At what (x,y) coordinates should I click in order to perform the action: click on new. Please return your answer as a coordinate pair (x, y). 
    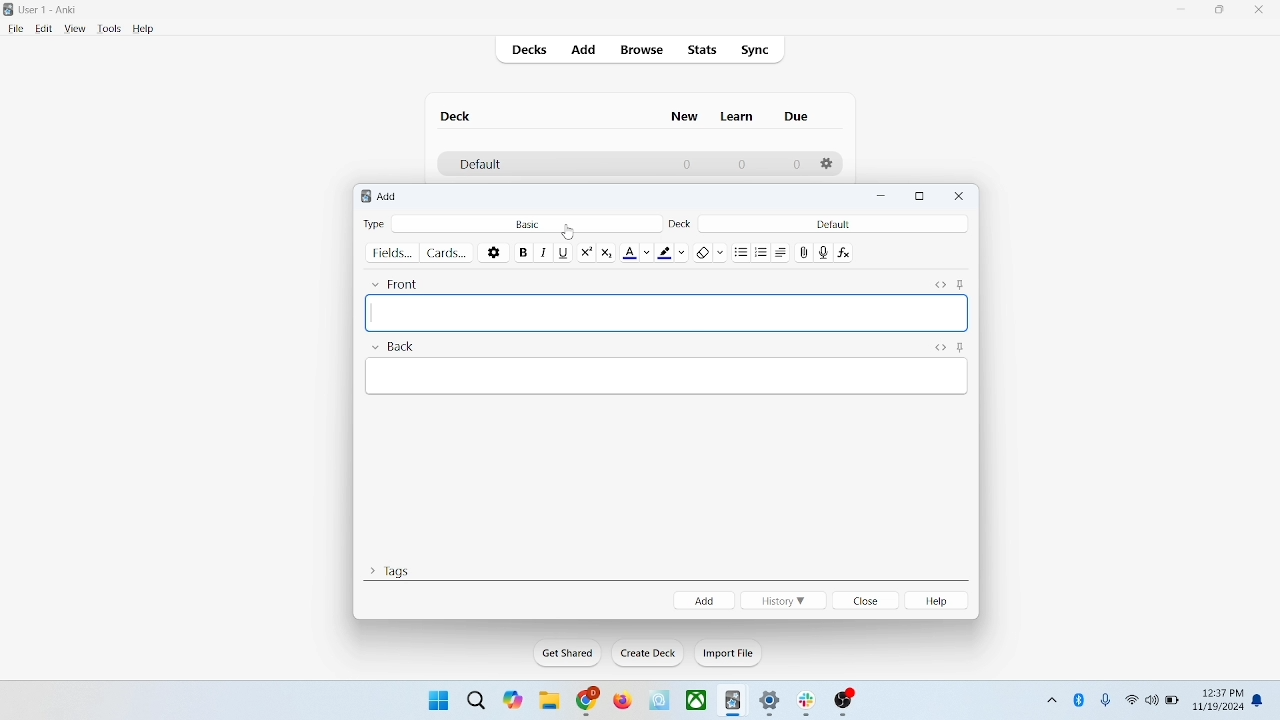
    Looking at the image, I should click on (685, 116).